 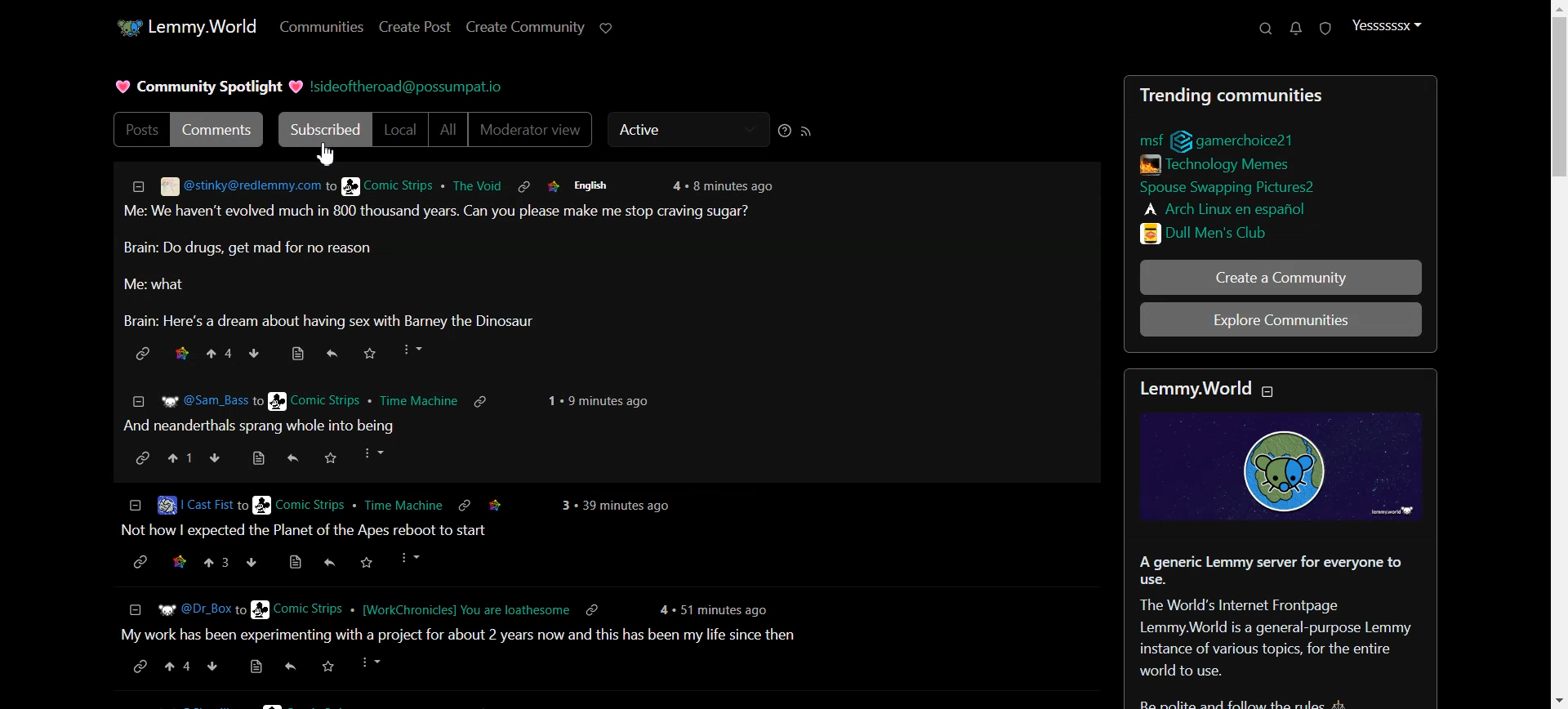 What do you see at coordinates (625, 507) in the screenshot?
I see `time` at bounding box center [625, 507].